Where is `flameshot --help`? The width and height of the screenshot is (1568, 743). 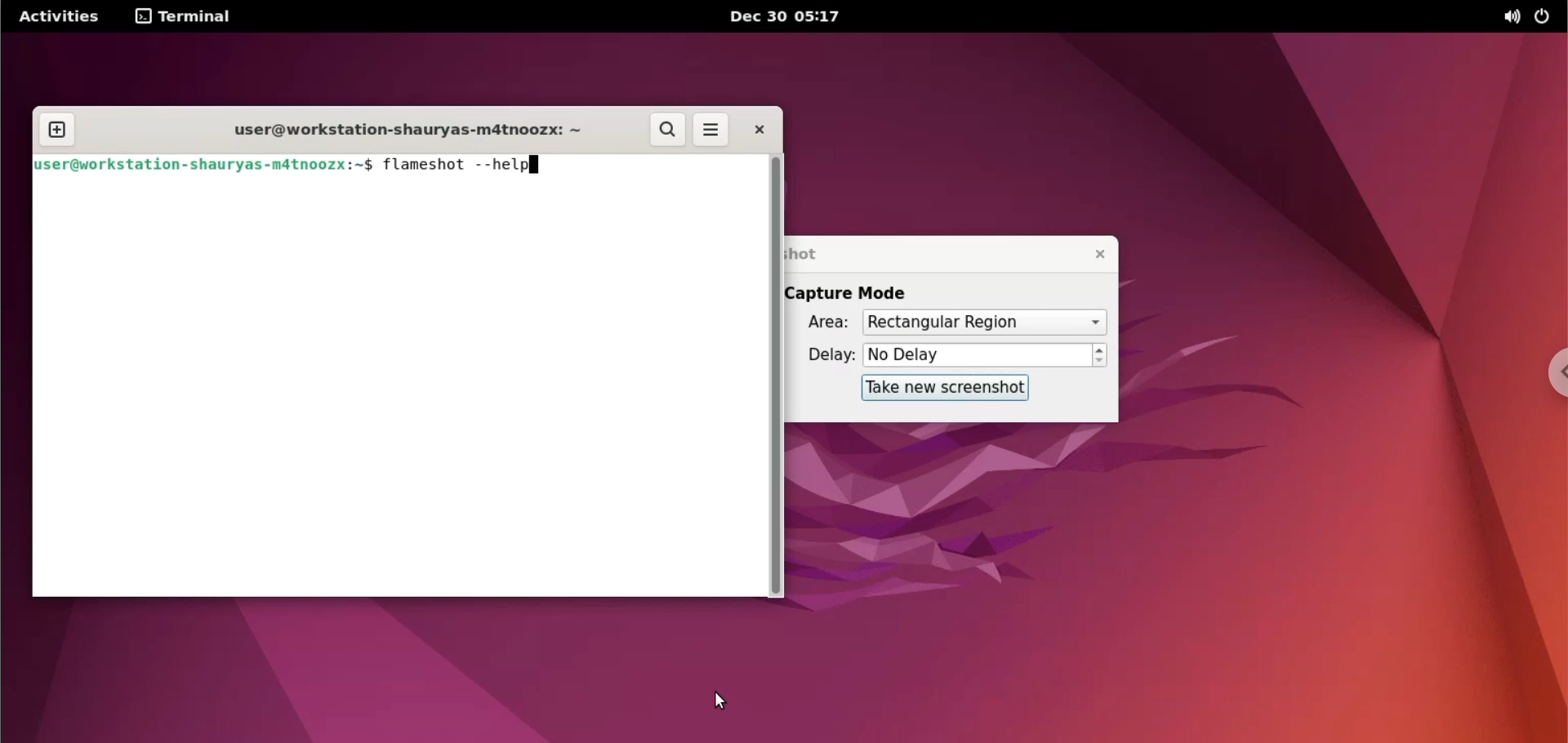
flameshot --help is located at coordinates (471, 166).